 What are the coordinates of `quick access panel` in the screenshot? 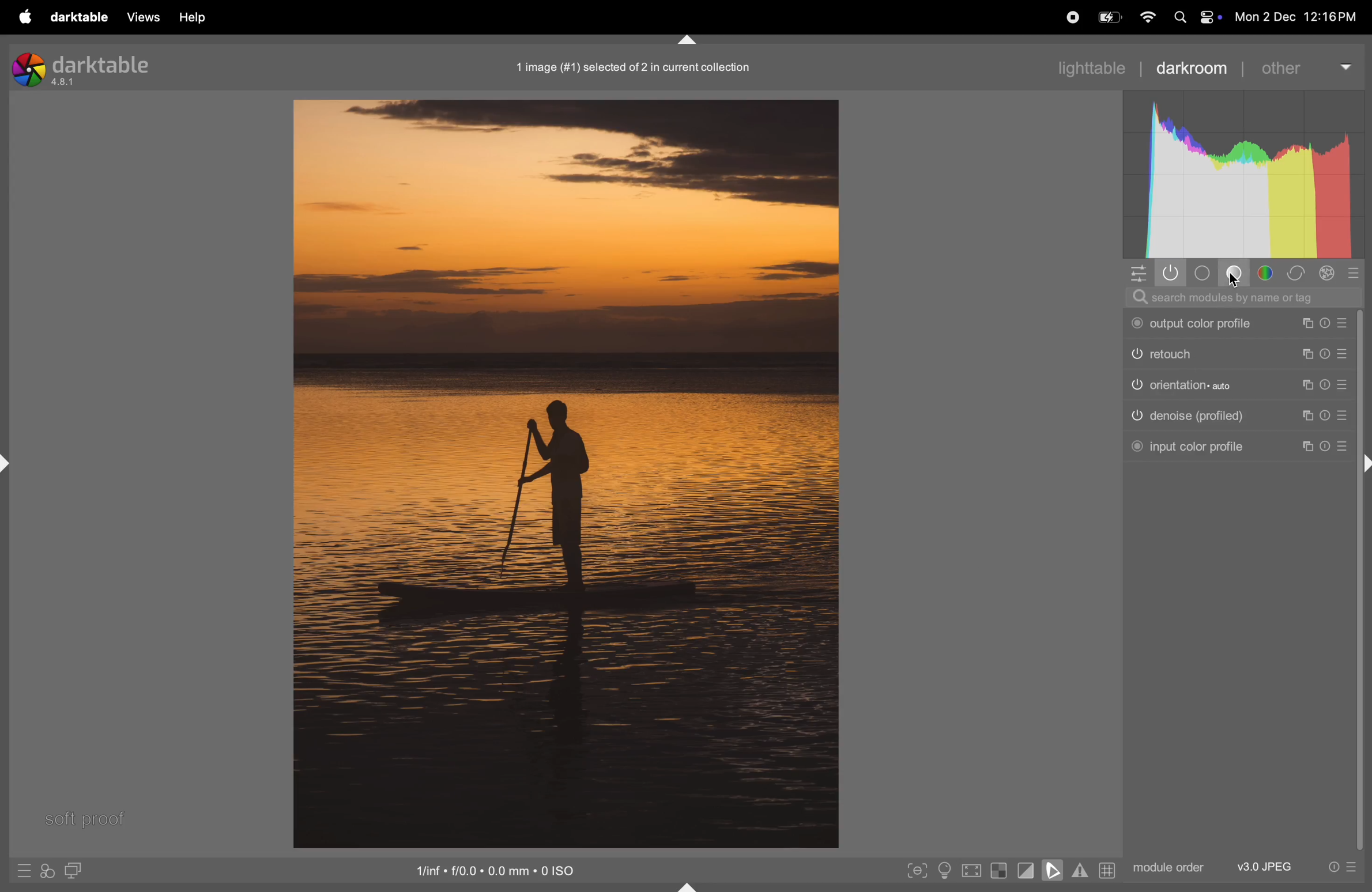 It's located at (1136, 273).